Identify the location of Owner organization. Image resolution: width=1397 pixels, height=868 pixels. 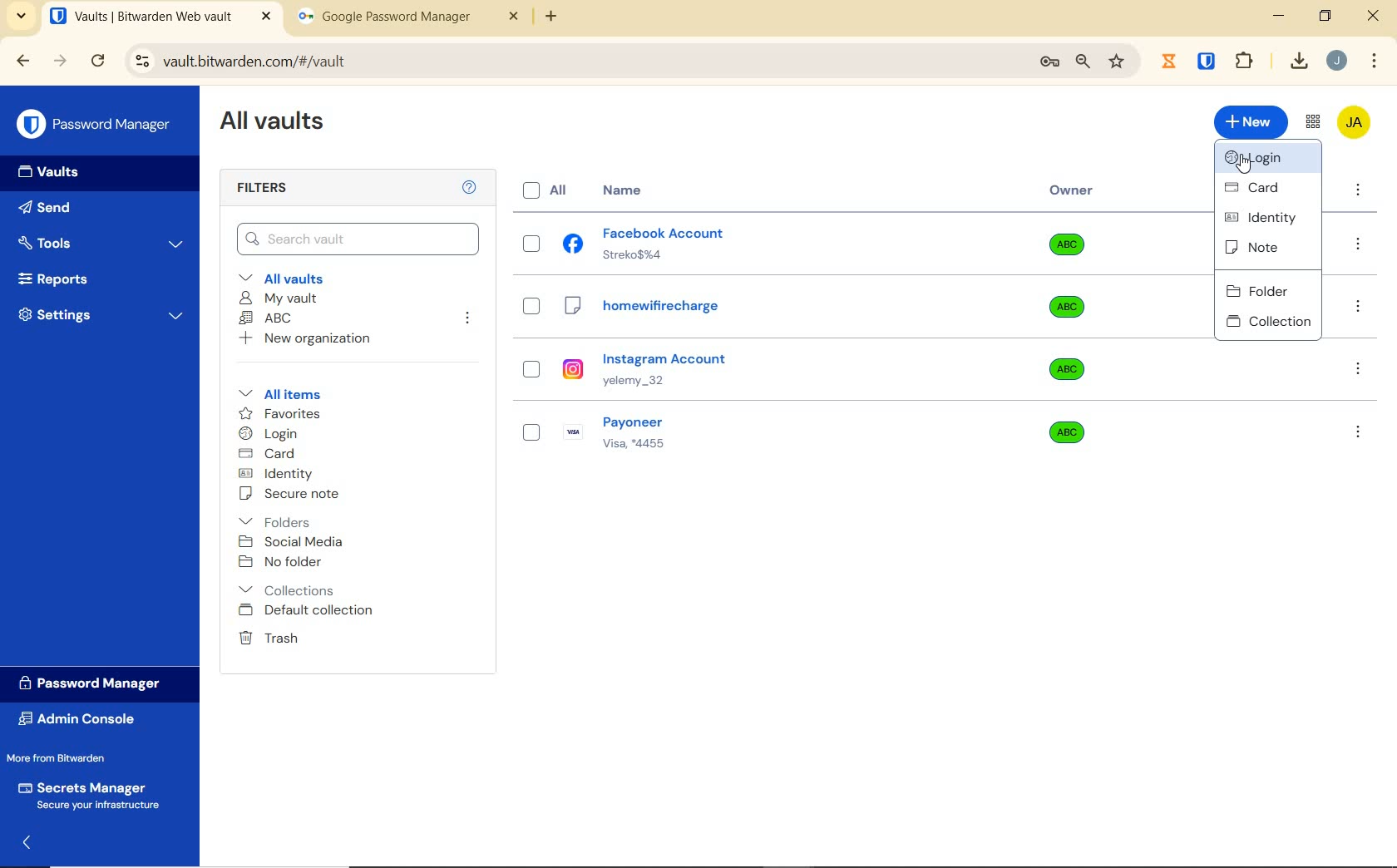
(1063, 431).